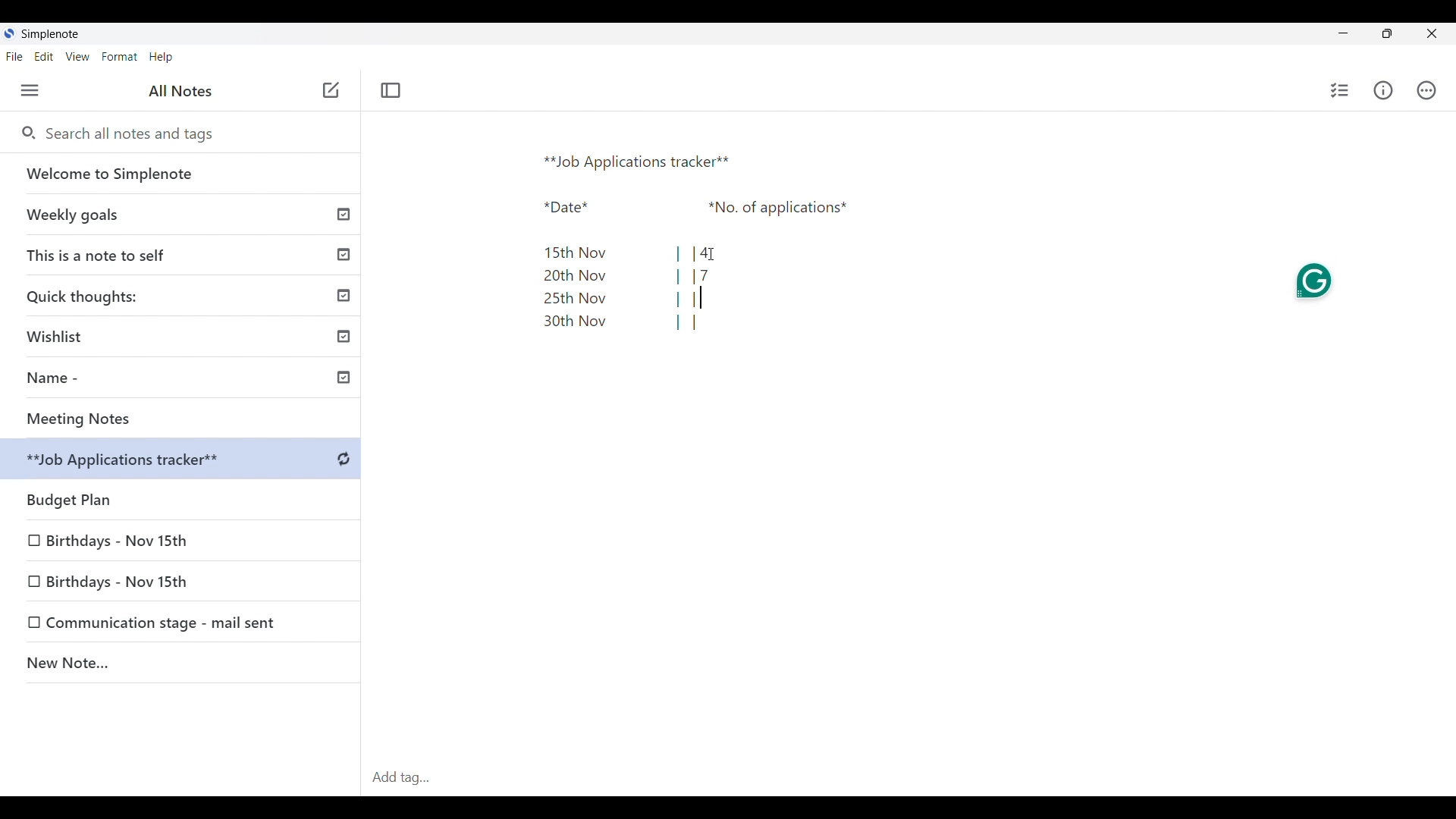 This screenshot has height=819, width=1456. What do you see at coordinates (186, 419) in the screenshot?
I see `Meeting Notes` at bounding box center [186, 419].